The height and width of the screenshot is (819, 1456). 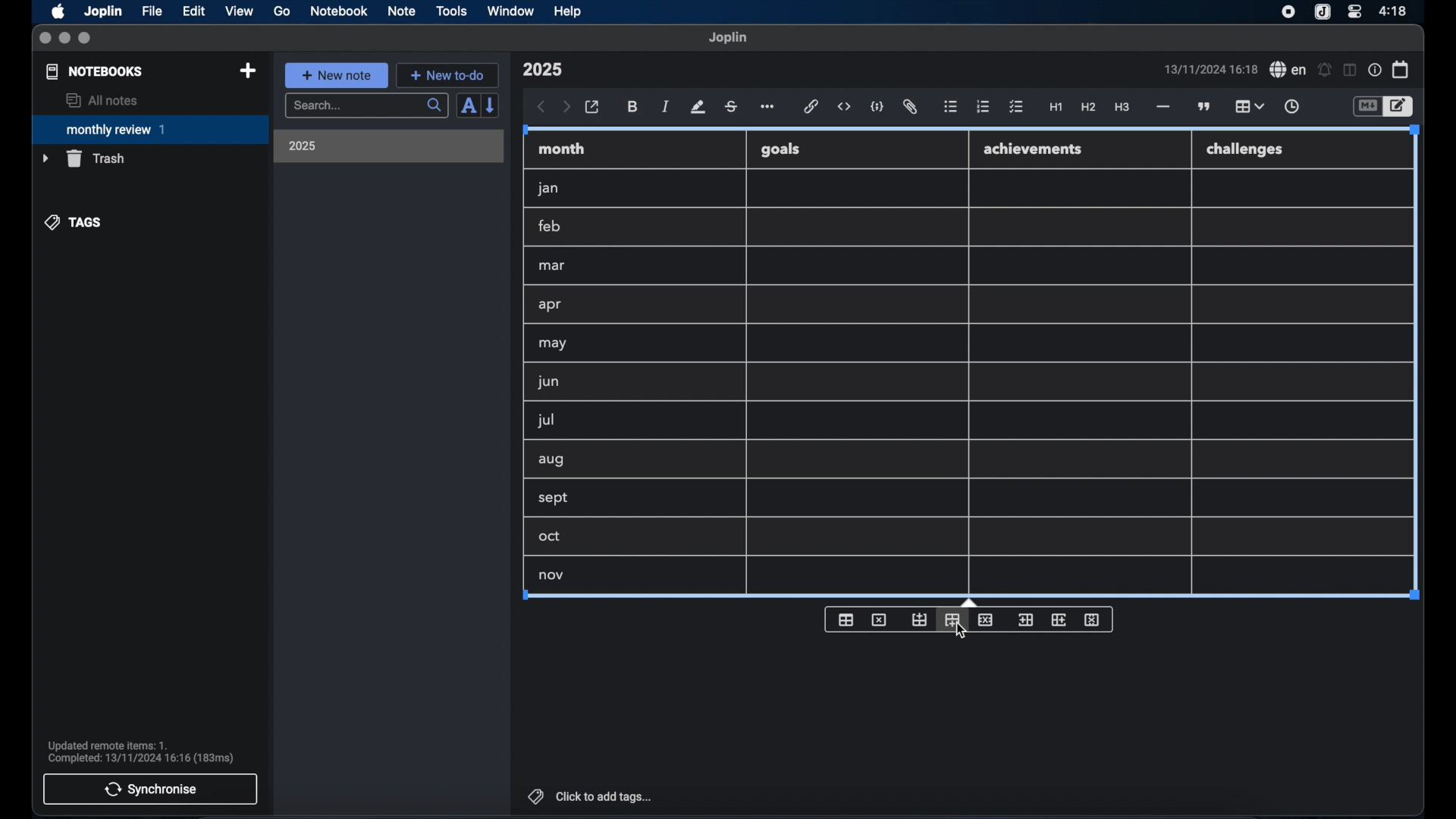 What do you see at coordinates (554, 499) in the screenshot?
I see `sept` at bounding box center [554, 499].